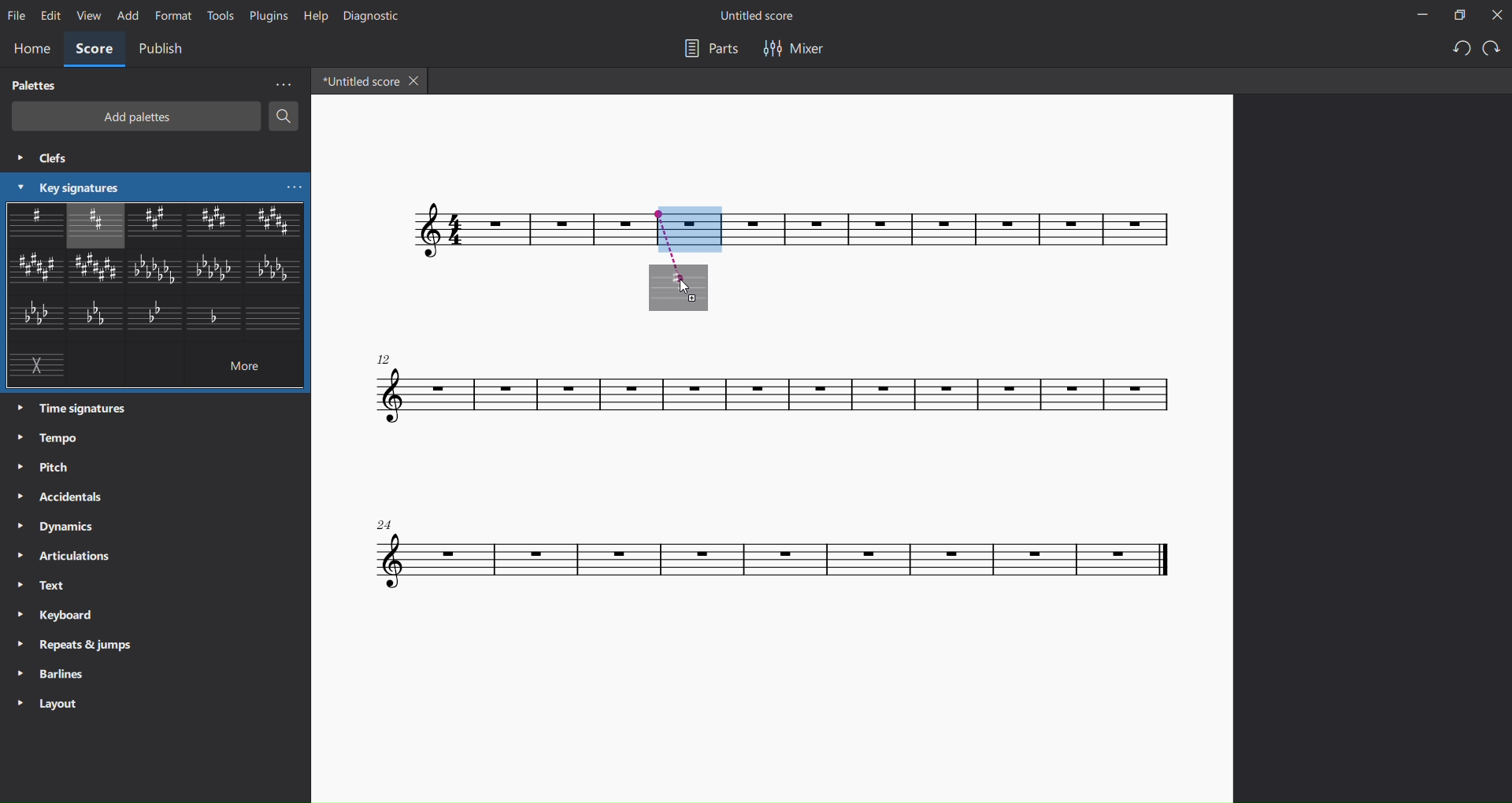 The image size is (1512, 803). What do you see at coordinates (68, 409) in the screenshot?
I see `time signatures` at bounding box center [68, 409].